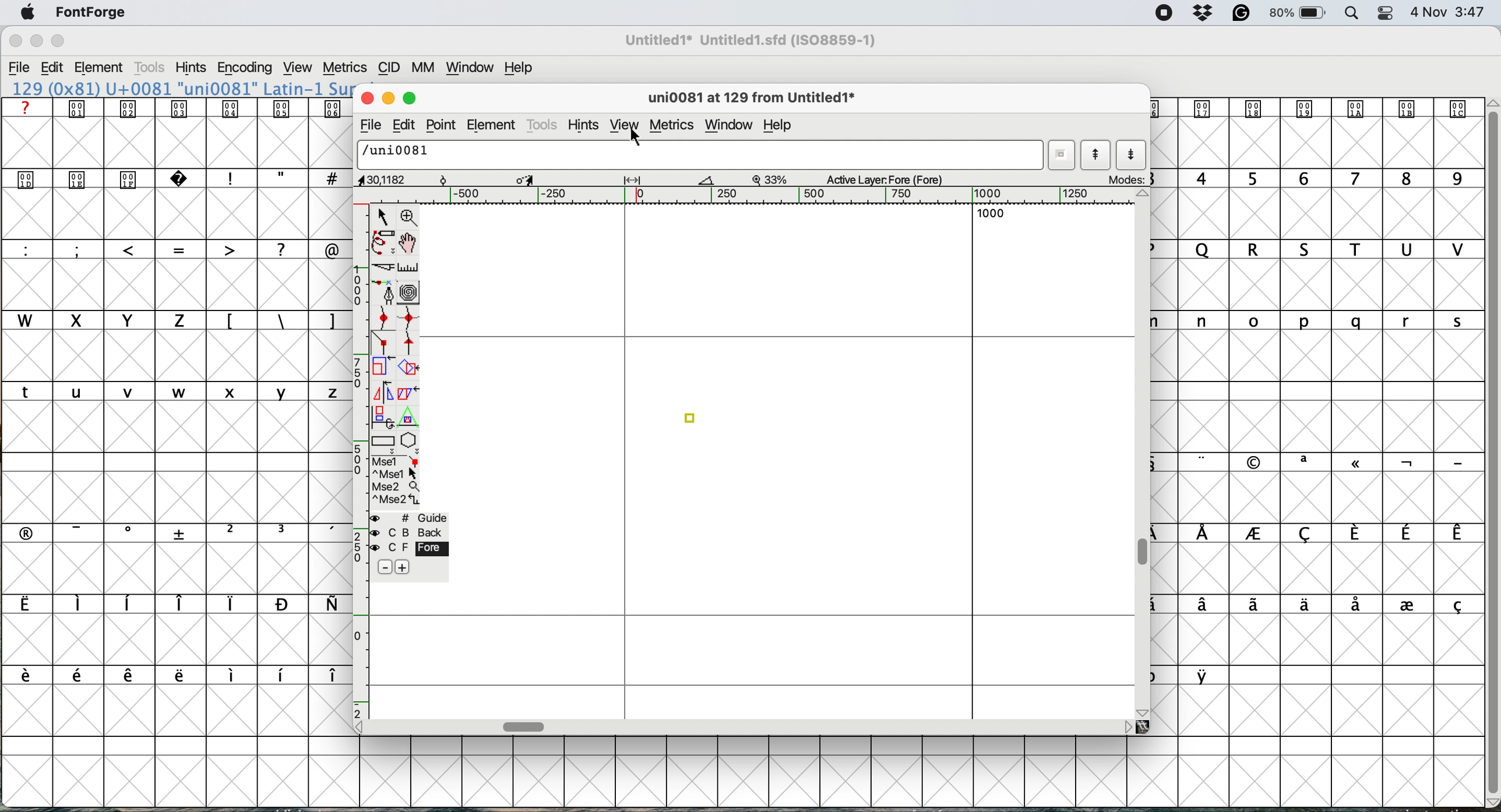 The height and width of the screenshot is (812, 1501). Describe the element at coordinates (624, 121) in the screenshot. I see `view` at that location.